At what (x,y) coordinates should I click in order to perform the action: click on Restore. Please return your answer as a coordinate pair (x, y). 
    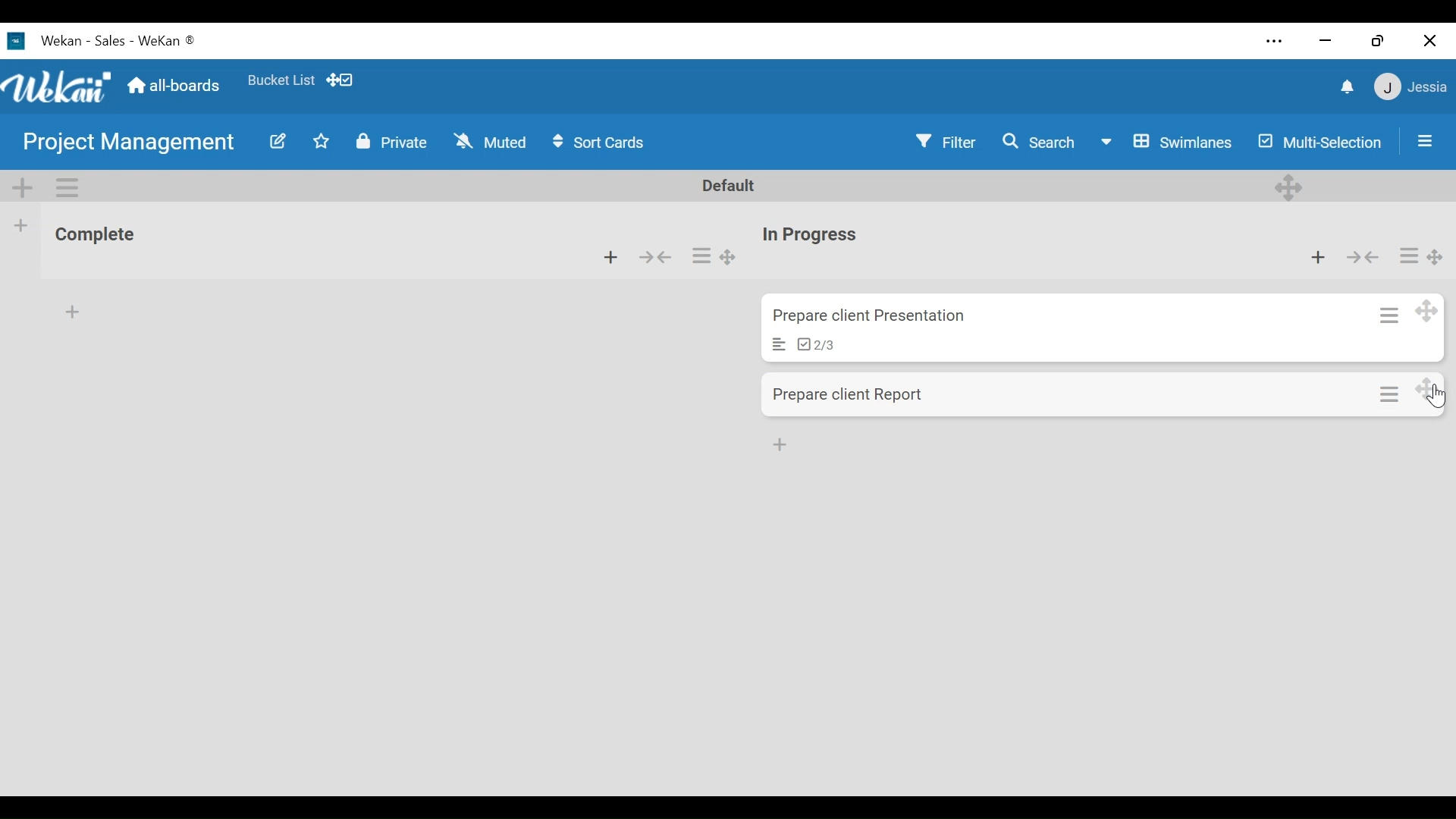
    Looking at the image, I should click on (1373, 37).